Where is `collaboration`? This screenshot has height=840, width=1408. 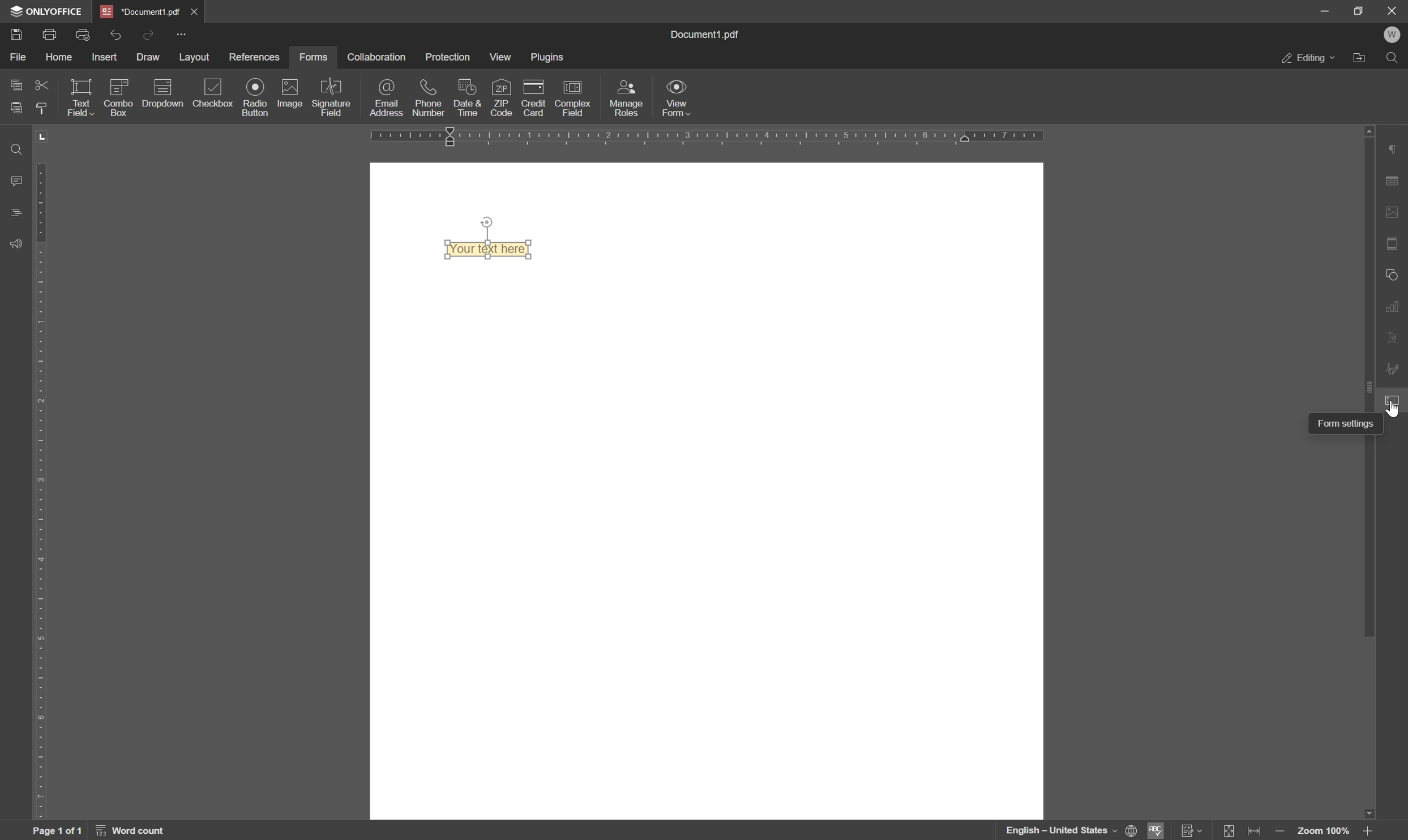 collaboration is located at coordinates (381, 55).